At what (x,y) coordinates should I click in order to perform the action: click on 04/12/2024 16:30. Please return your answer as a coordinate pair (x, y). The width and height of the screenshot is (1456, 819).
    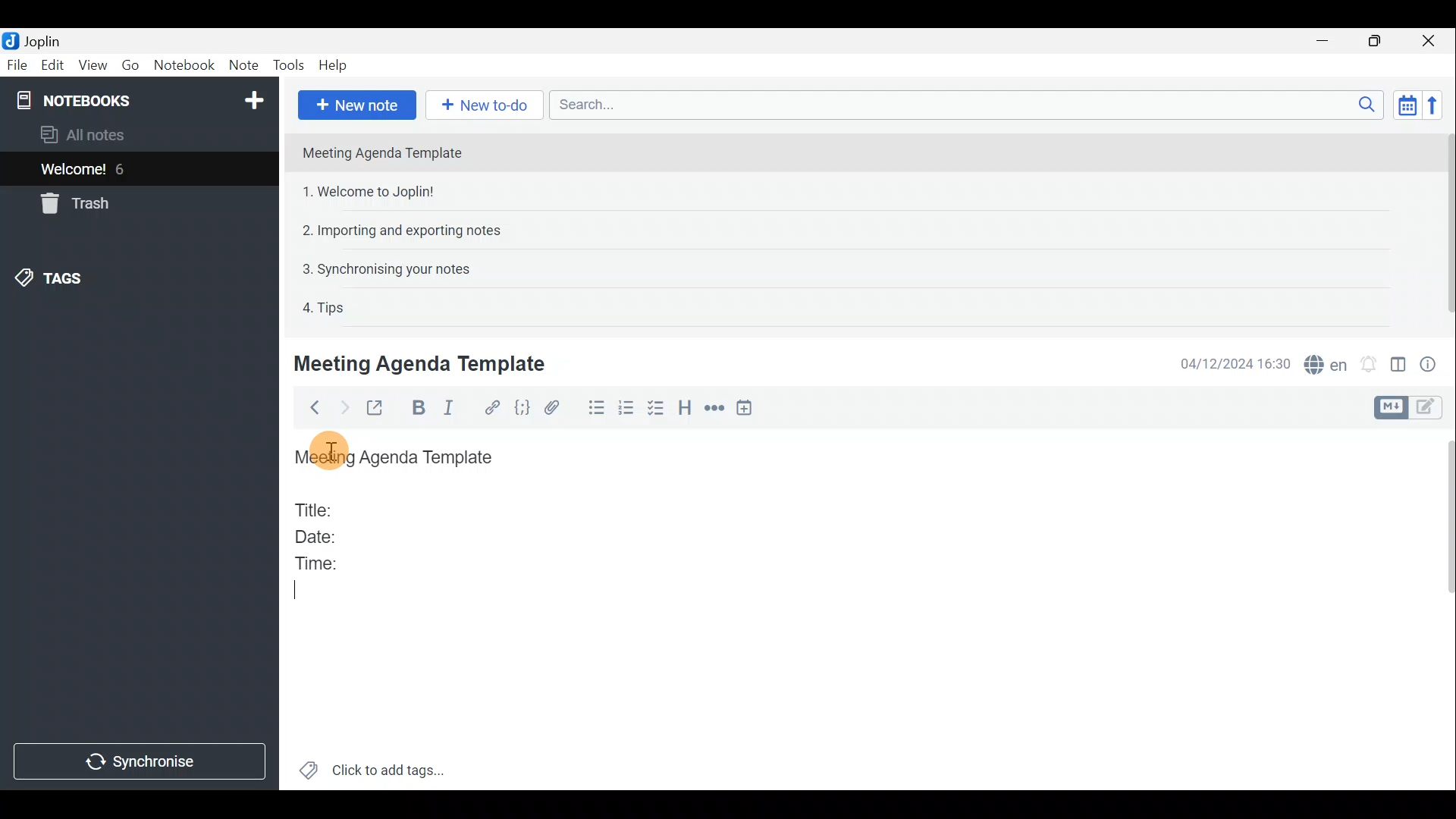
    Looking at the image, I should click on (1228, 362).